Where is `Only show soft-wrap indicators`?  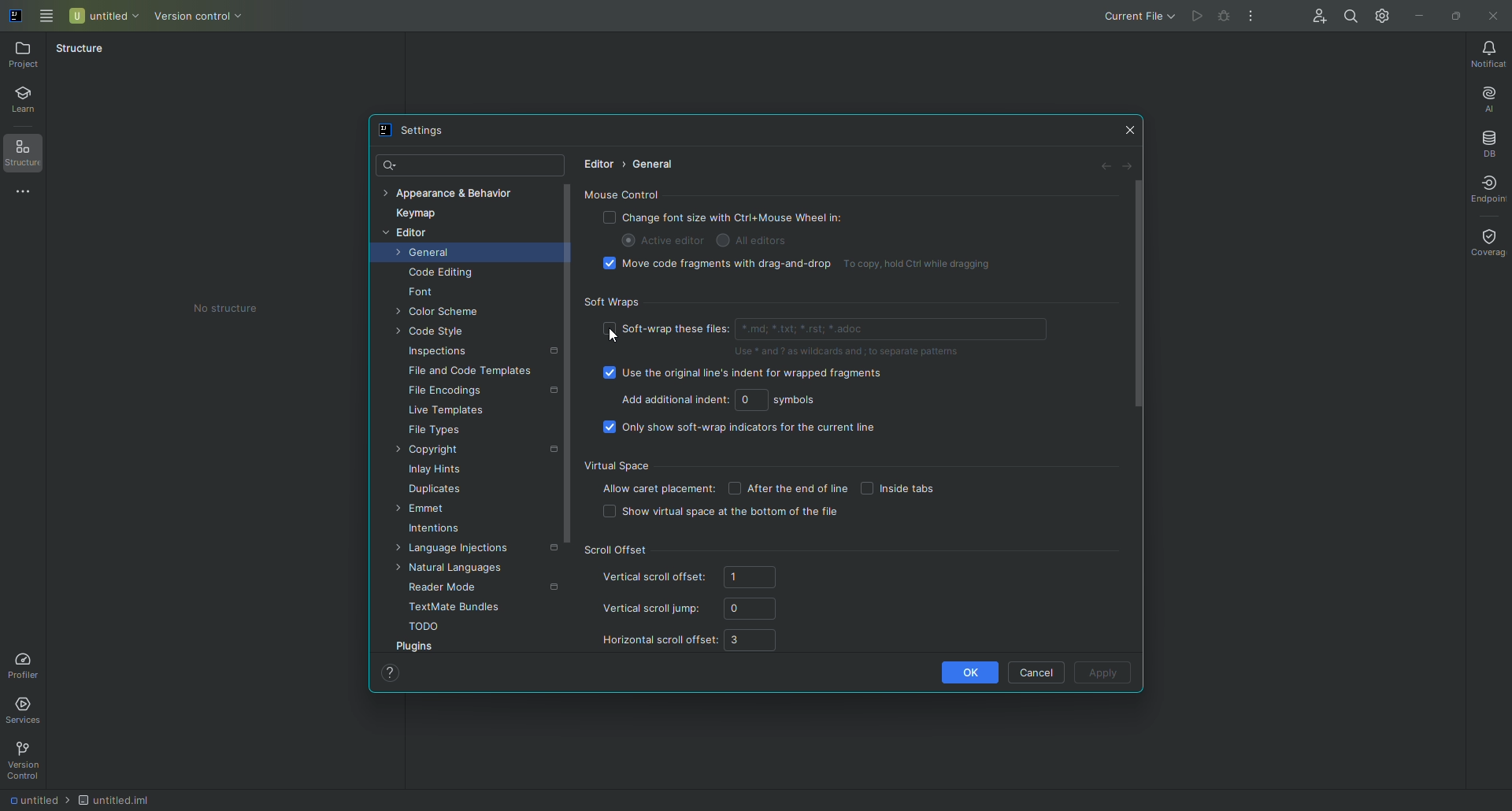 Only show soft-wrap indicators is located at coordinates (742, 430).